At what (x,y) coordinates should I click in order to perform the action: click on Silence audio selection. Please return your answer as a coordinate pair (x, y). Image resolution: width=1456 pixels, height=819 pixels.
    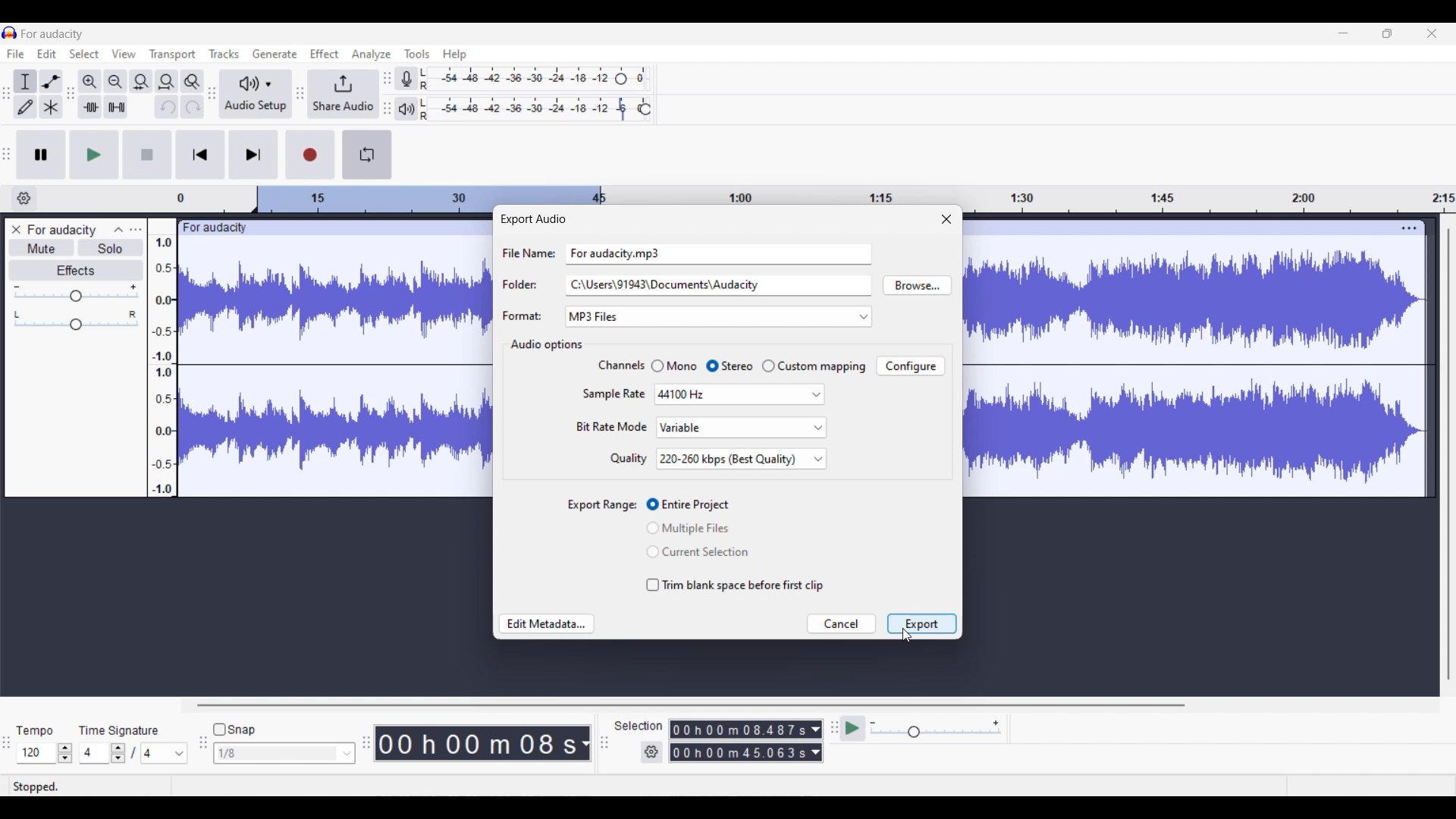
    Looking at the image, I should click on (117, 107).